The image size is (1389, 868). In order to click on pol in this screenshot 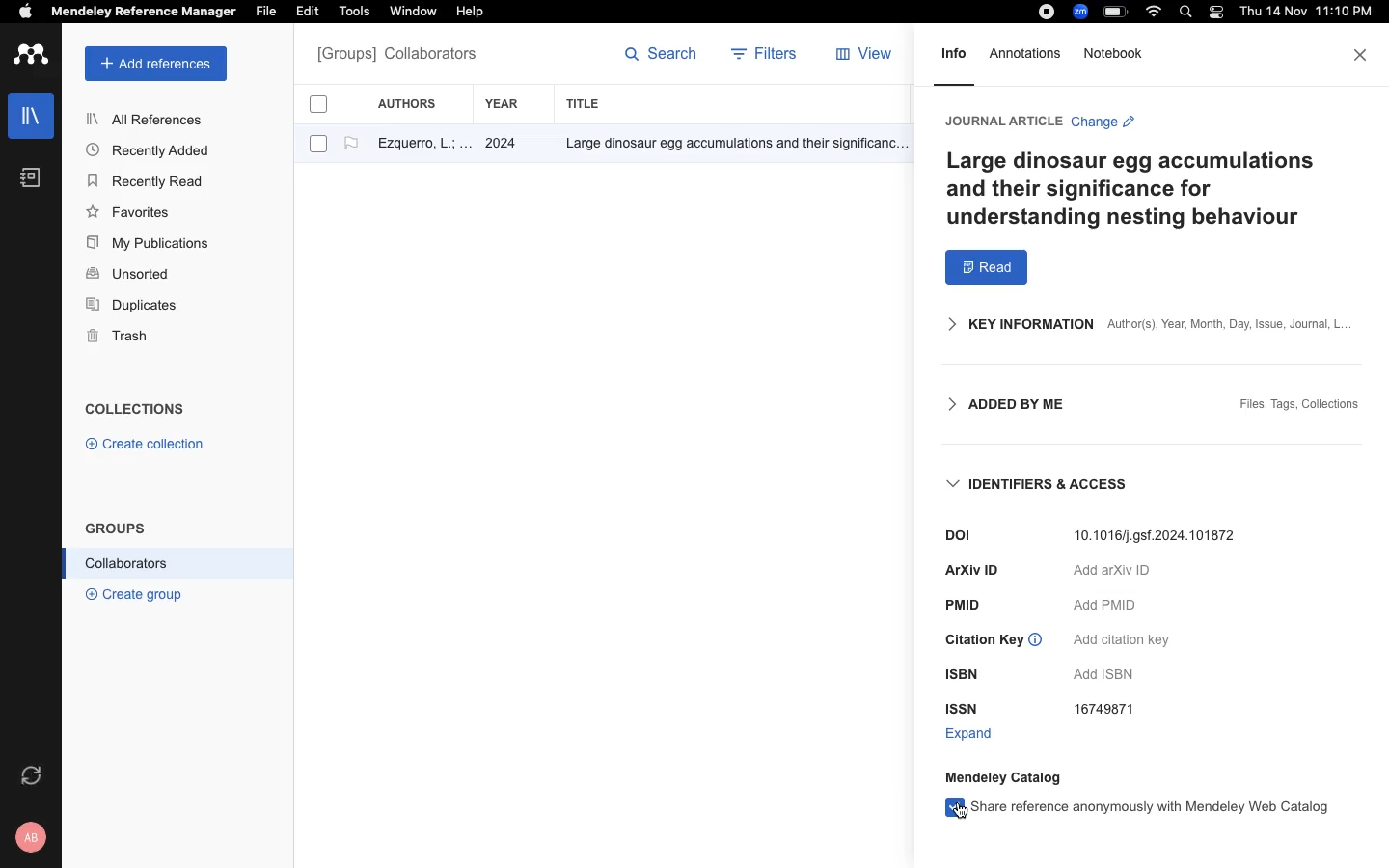, I will do `click(942, 535)`.